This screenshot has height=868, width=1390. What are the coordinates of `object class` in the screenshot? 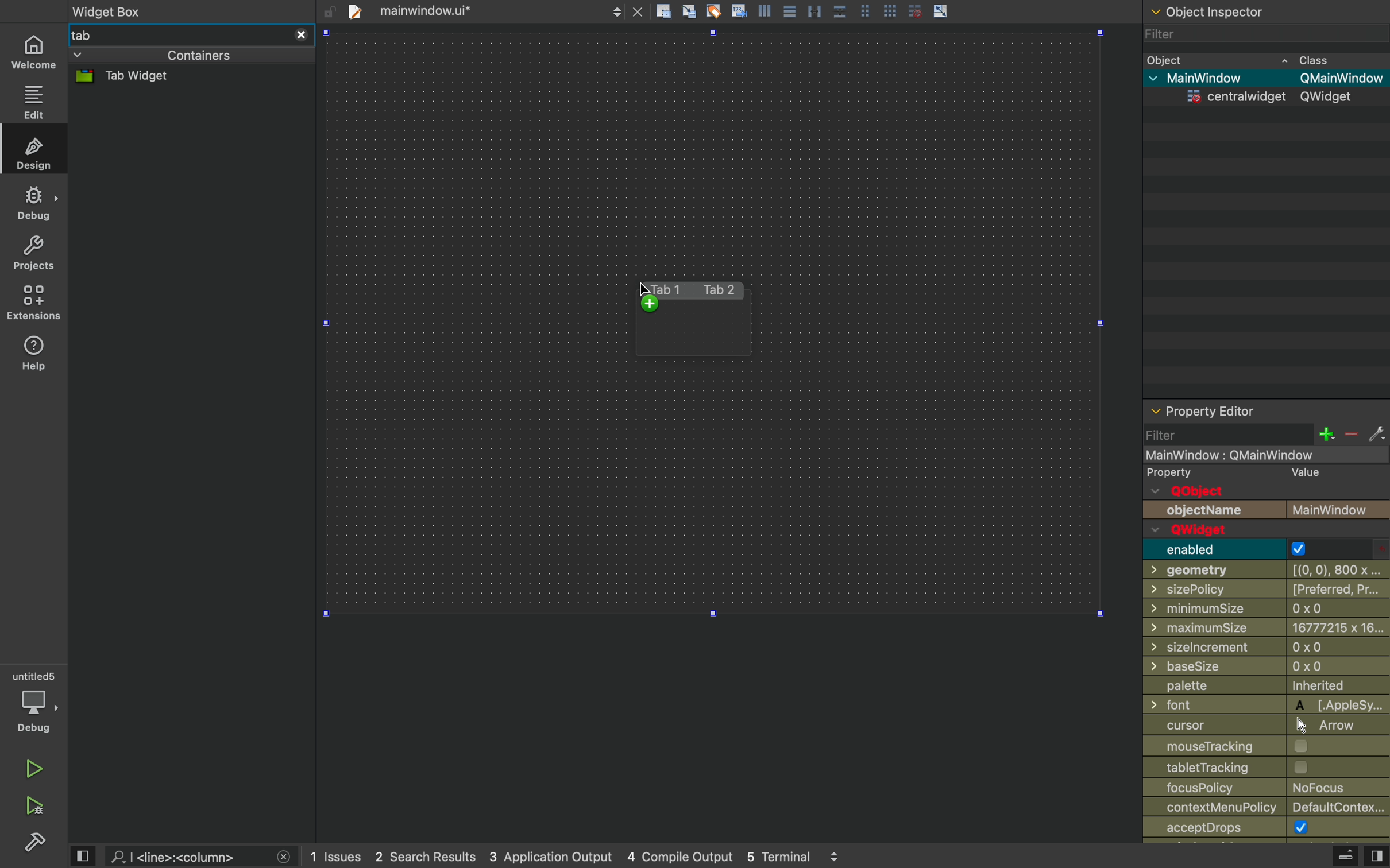 It's located at (1260, 59).